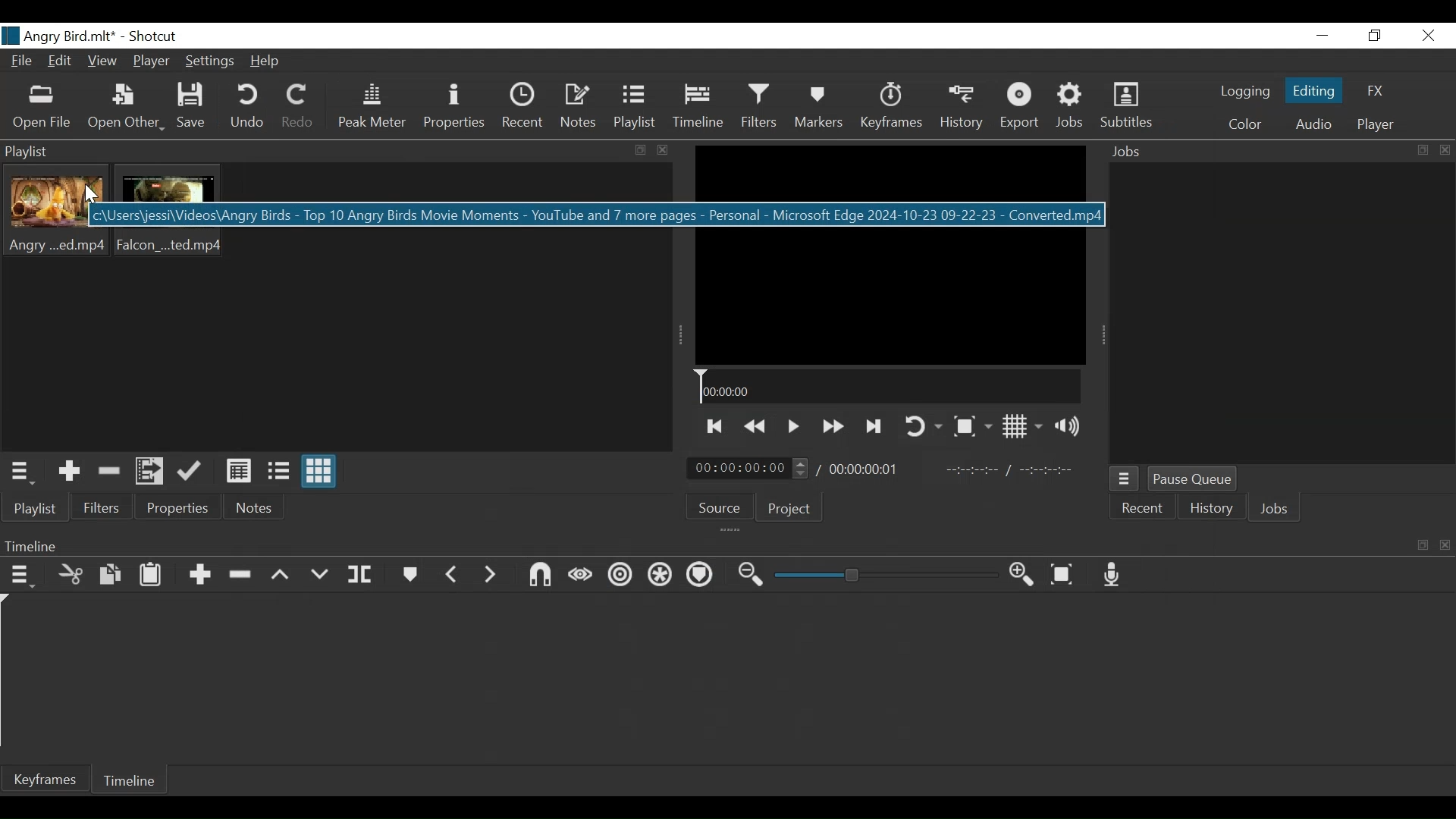 The image size is (1456, 819). Describe the element at coordinates (110, 472) in the screenshot. I see `Remove cut` at that location.